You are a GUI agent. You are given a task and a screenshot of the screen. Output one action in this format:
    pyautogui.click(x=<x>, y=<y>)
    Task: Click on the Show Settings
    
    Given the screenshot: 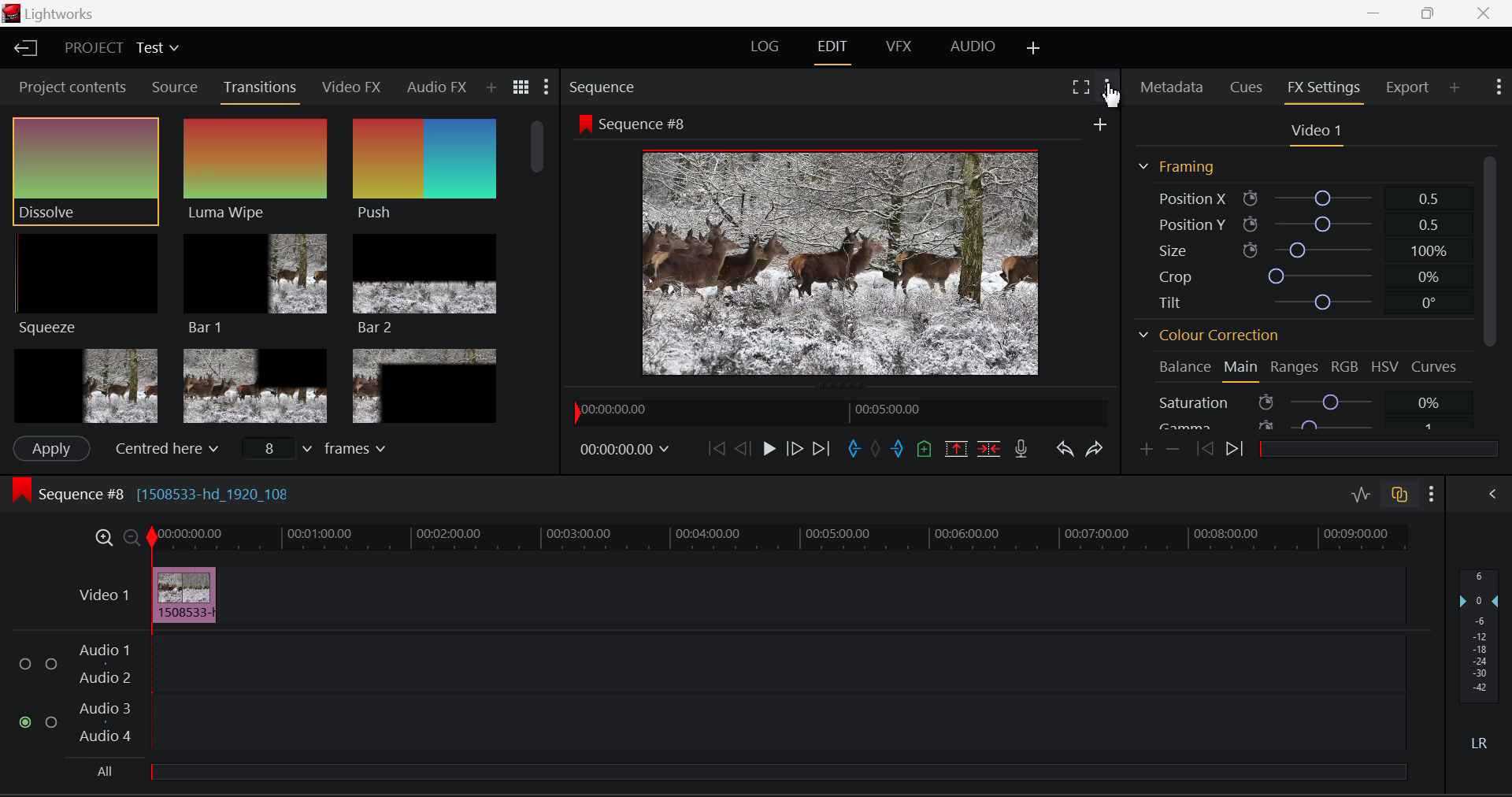 What is the action you would take?
    pyautogui.click(x=548, y=85)
    